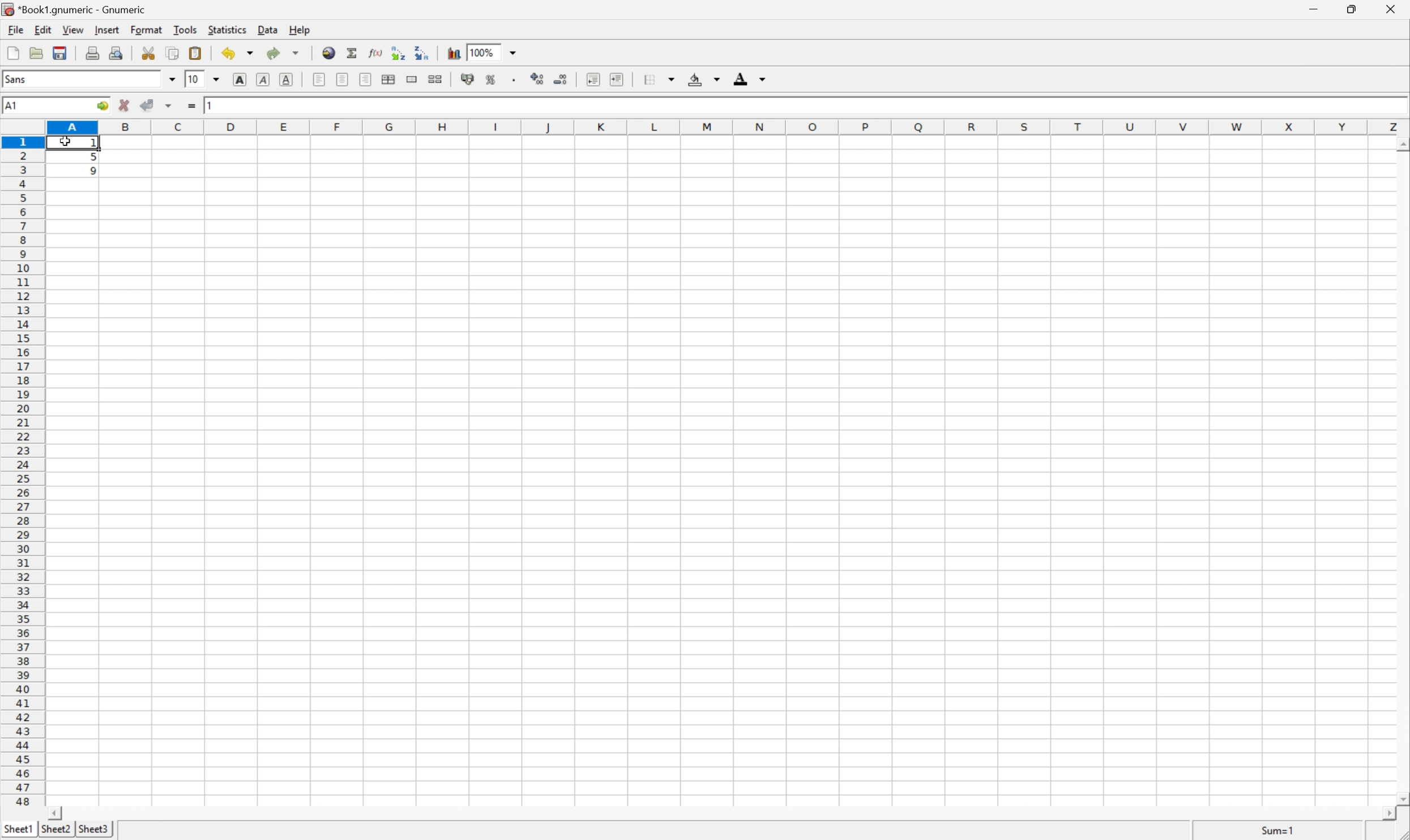 The height and width of the screenshot is (840, 1410). I want to click on decrease indent, so click(594, 79).